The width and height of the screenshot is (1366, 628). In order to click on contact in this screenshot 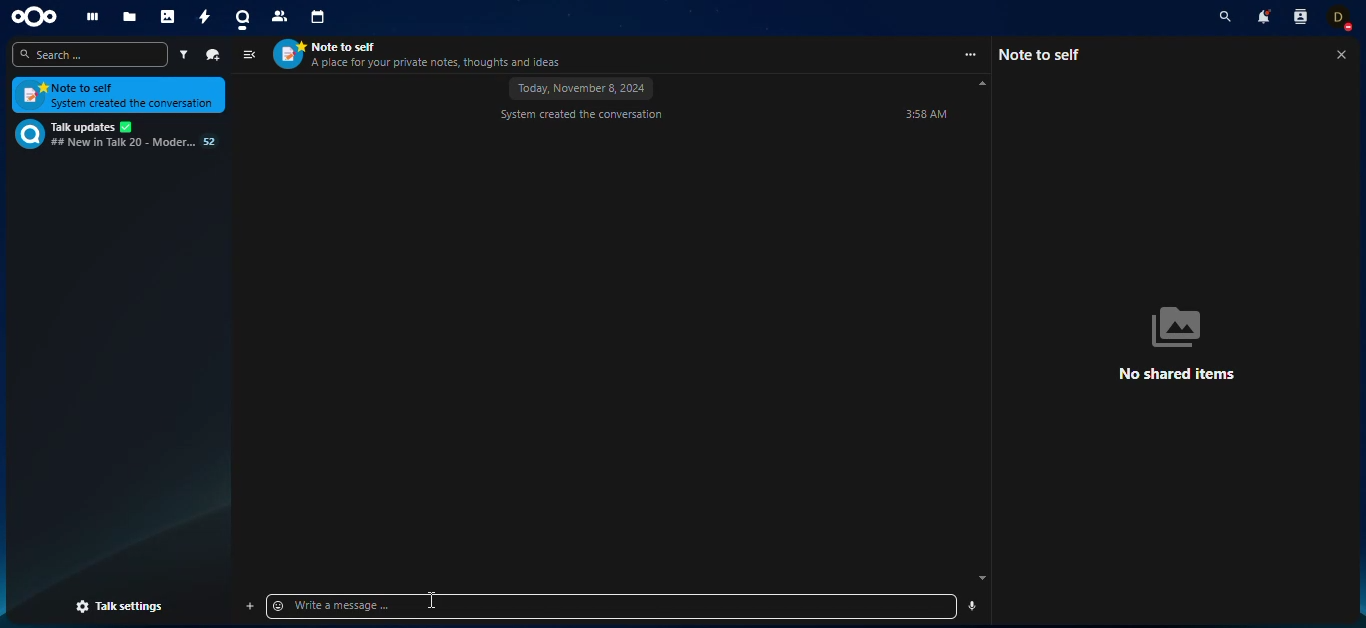, I will do `click(279, 19)`.